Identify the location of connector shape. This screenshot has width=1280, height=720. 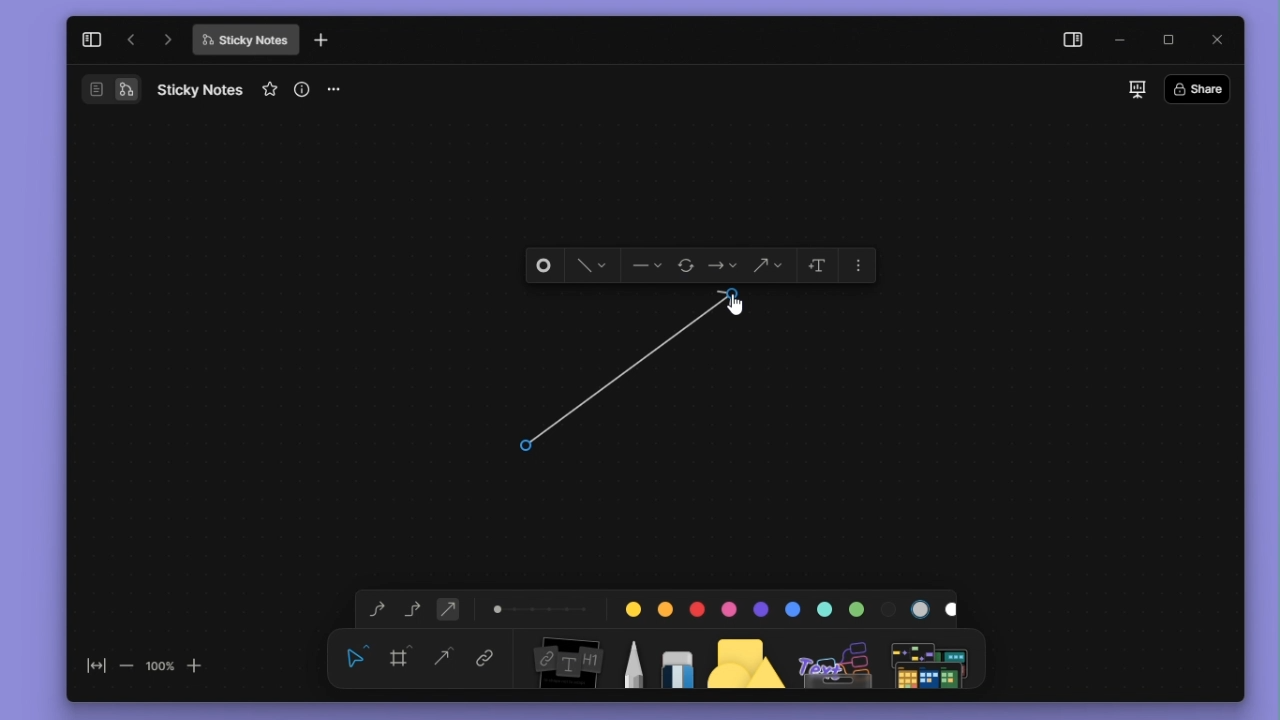
(767, 266).